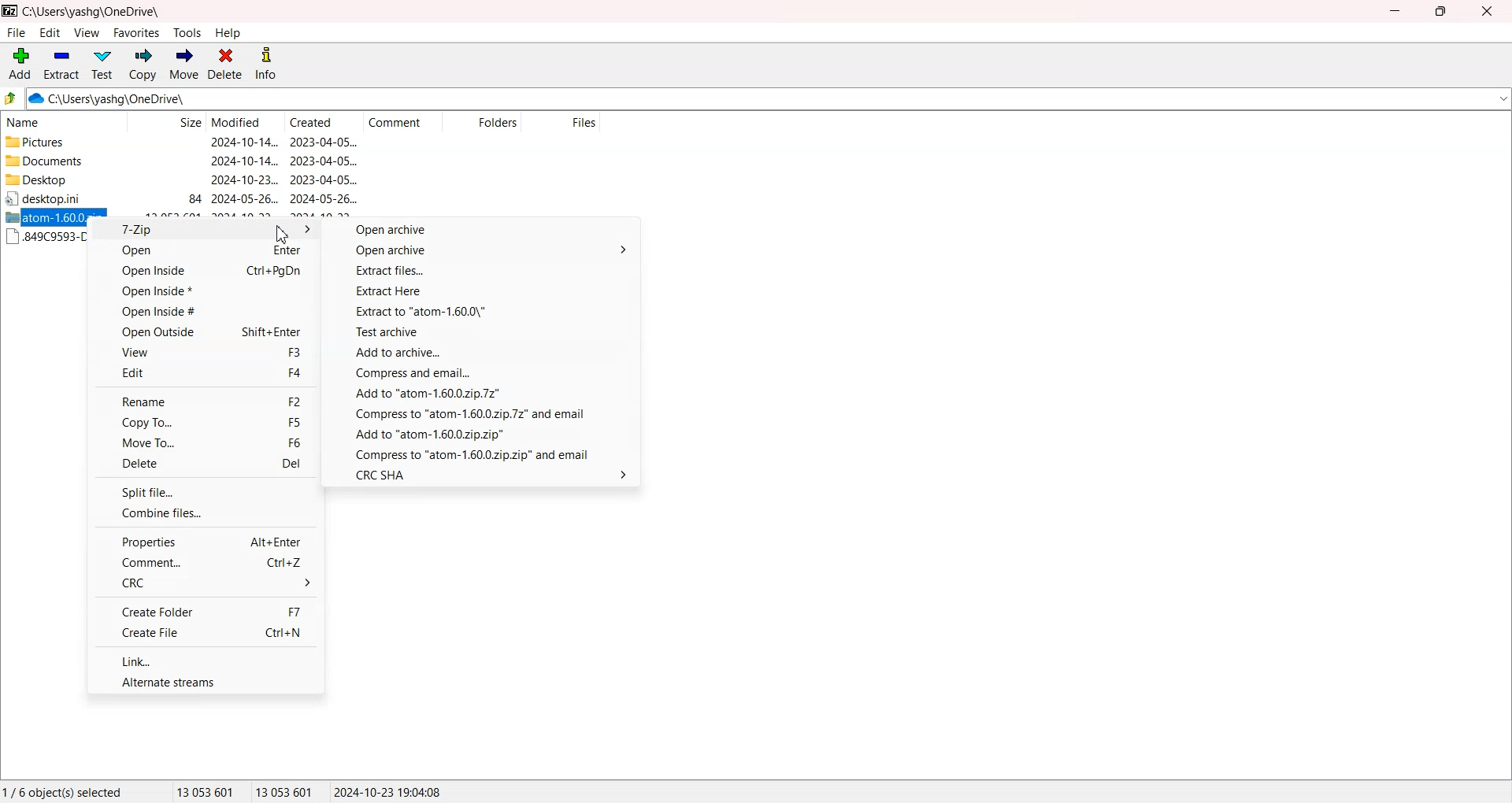 Image resolution: width=1512 pixels, height=803 pixels. Describe the element at coordinates (20, 64) in the screenshot. I see `Add` at that location.